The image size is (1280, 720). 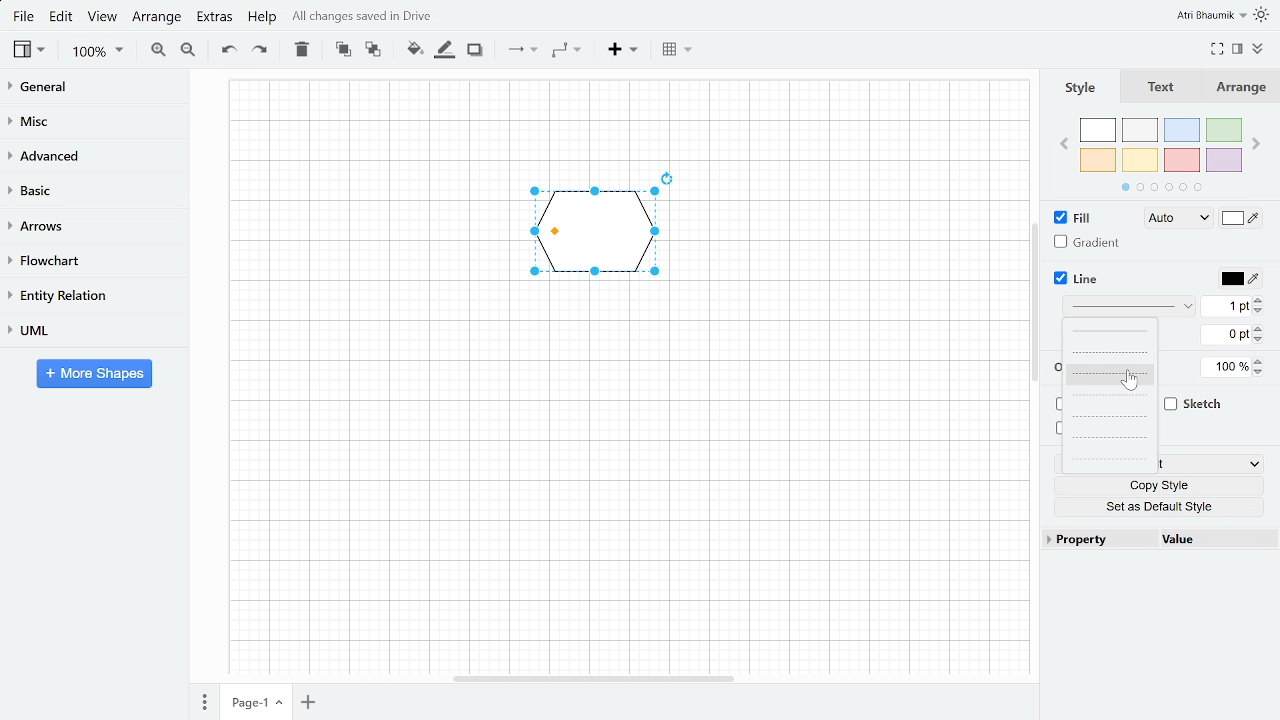 I want to click on Dashed 2, so click(x=1111, y=373).